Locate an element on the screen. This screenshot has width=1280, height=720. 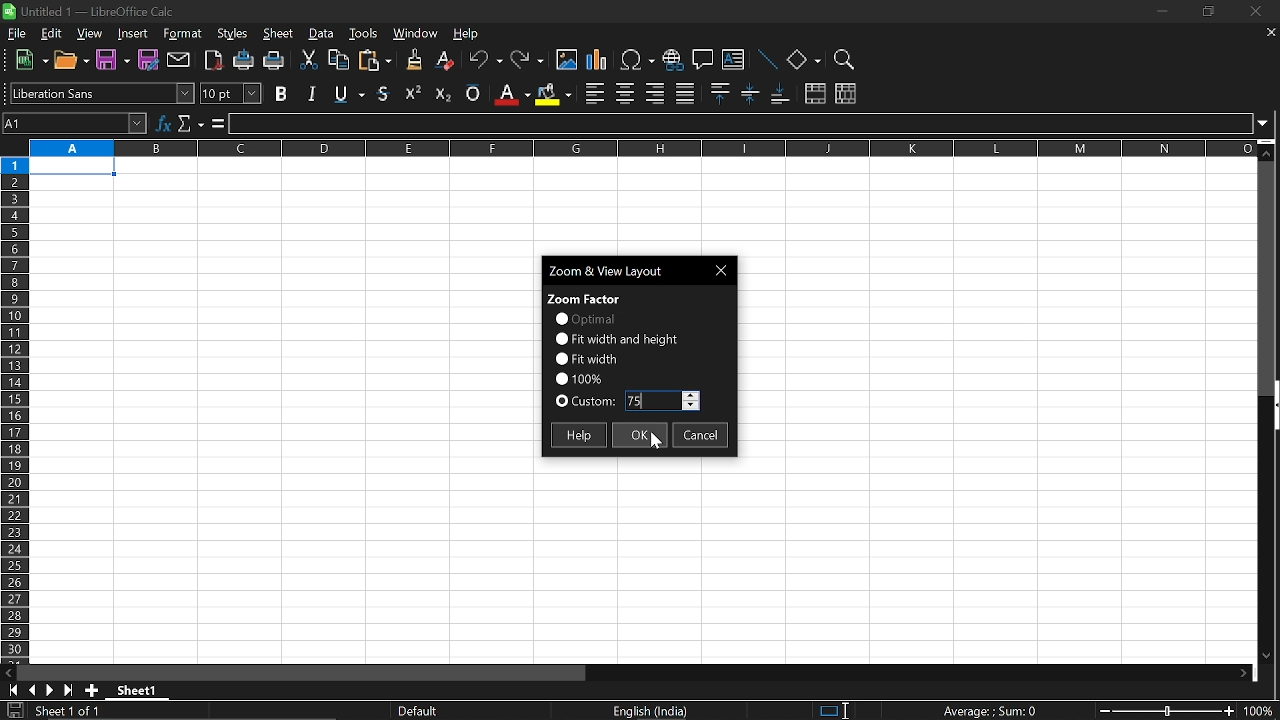
zoom is located at coordinates (842, 60).